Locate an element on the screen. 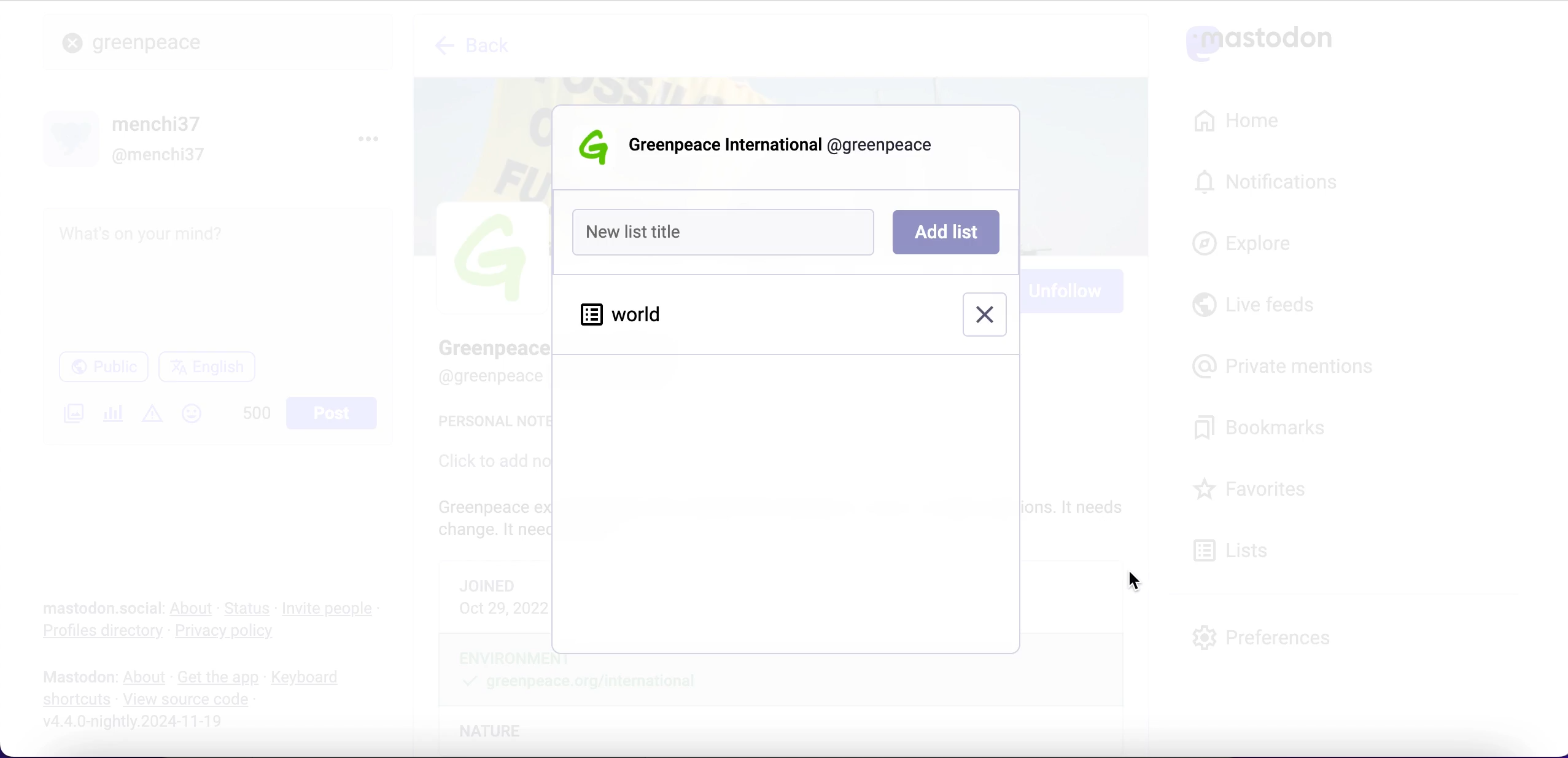 This screenshot has height=758, width=1568. 2024-11-19 is located at coordinates (142, 721).